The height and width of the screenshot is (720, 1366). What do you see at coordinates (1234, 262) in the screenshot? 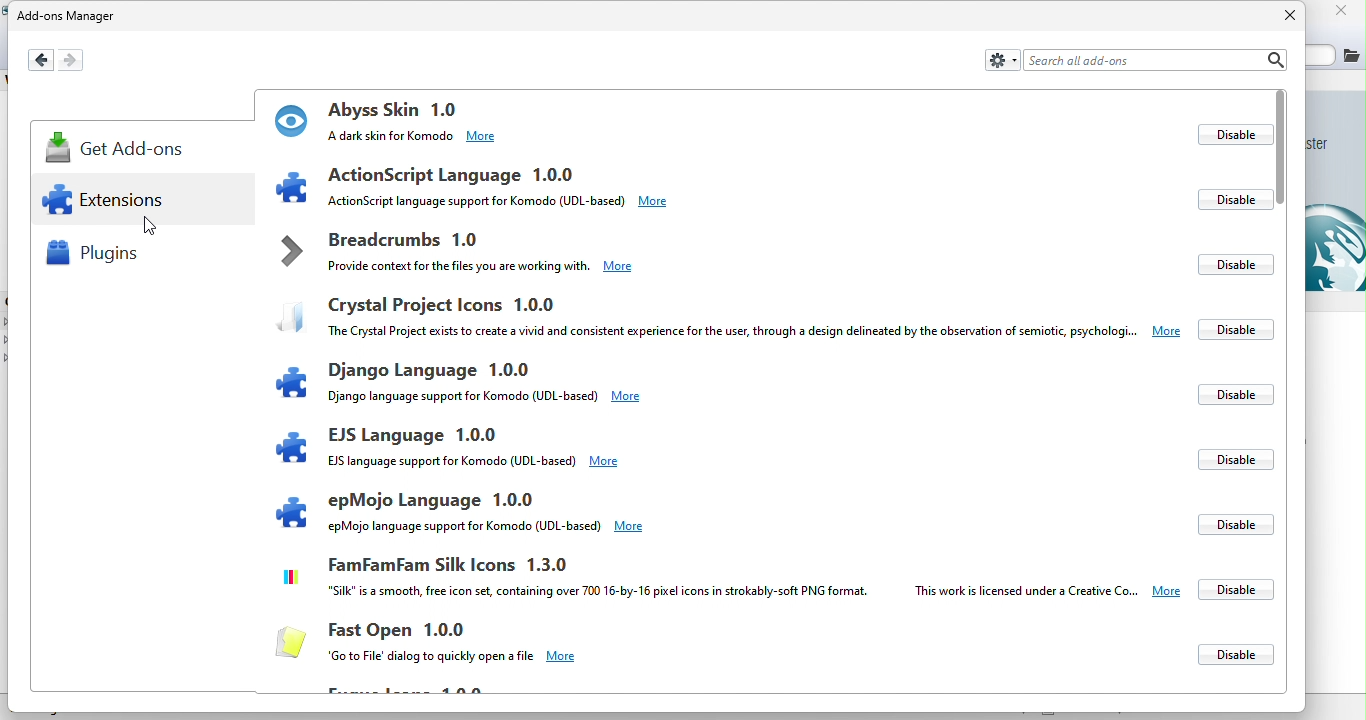
I see `disable` at bounding box center [1234, 262].